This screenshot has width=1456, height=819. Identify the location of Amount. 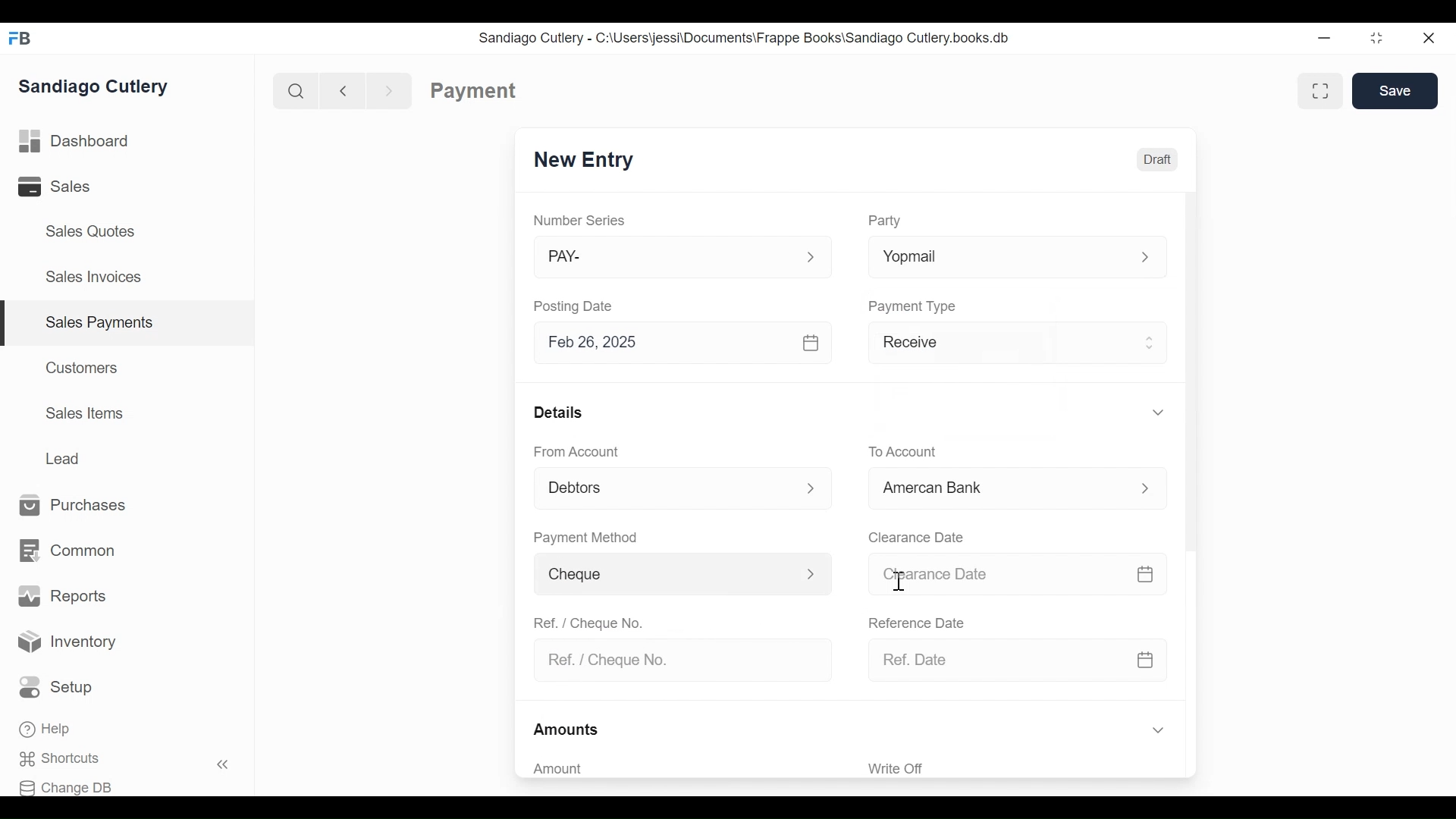
(675, 769).